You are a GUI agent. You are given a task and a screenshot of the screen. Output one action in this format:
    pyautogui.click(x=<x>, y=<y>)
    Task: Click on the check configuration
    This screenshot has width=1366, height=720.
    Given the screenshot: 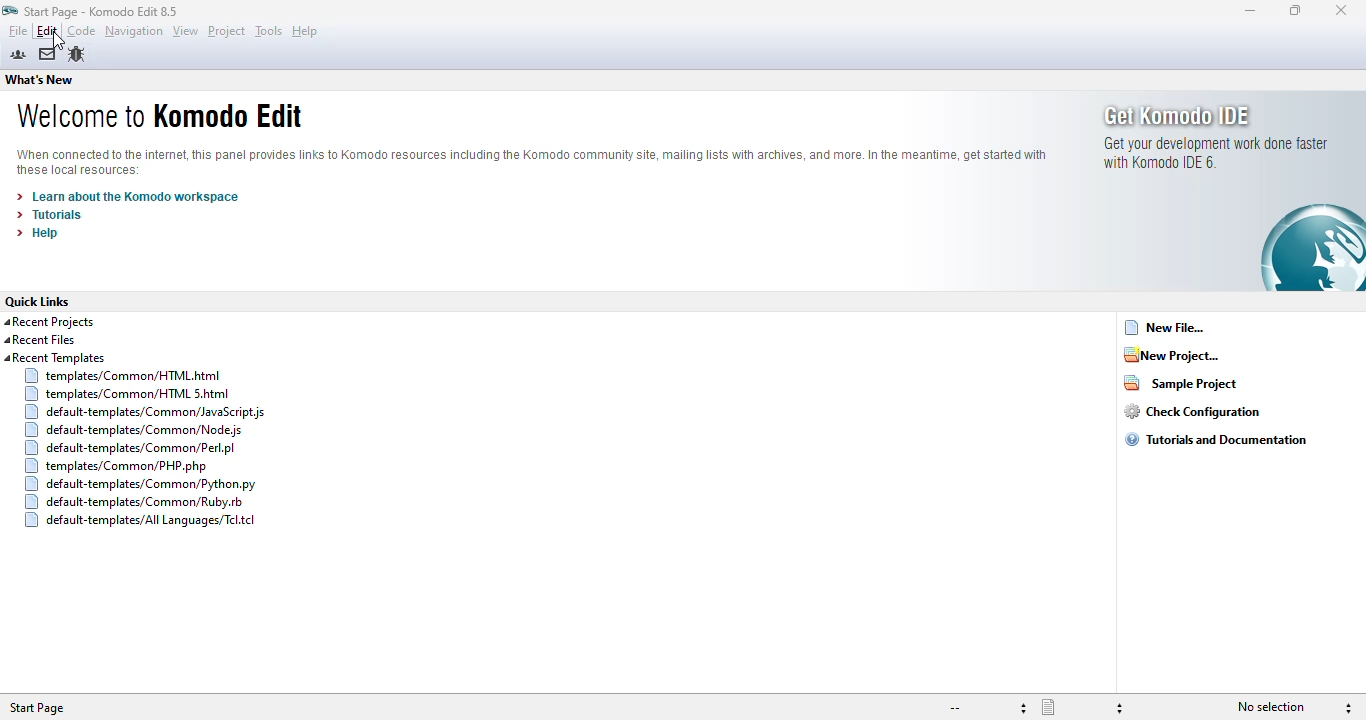 What is the action you would take?
    pyautogui.click(x=1192, y=411)
    